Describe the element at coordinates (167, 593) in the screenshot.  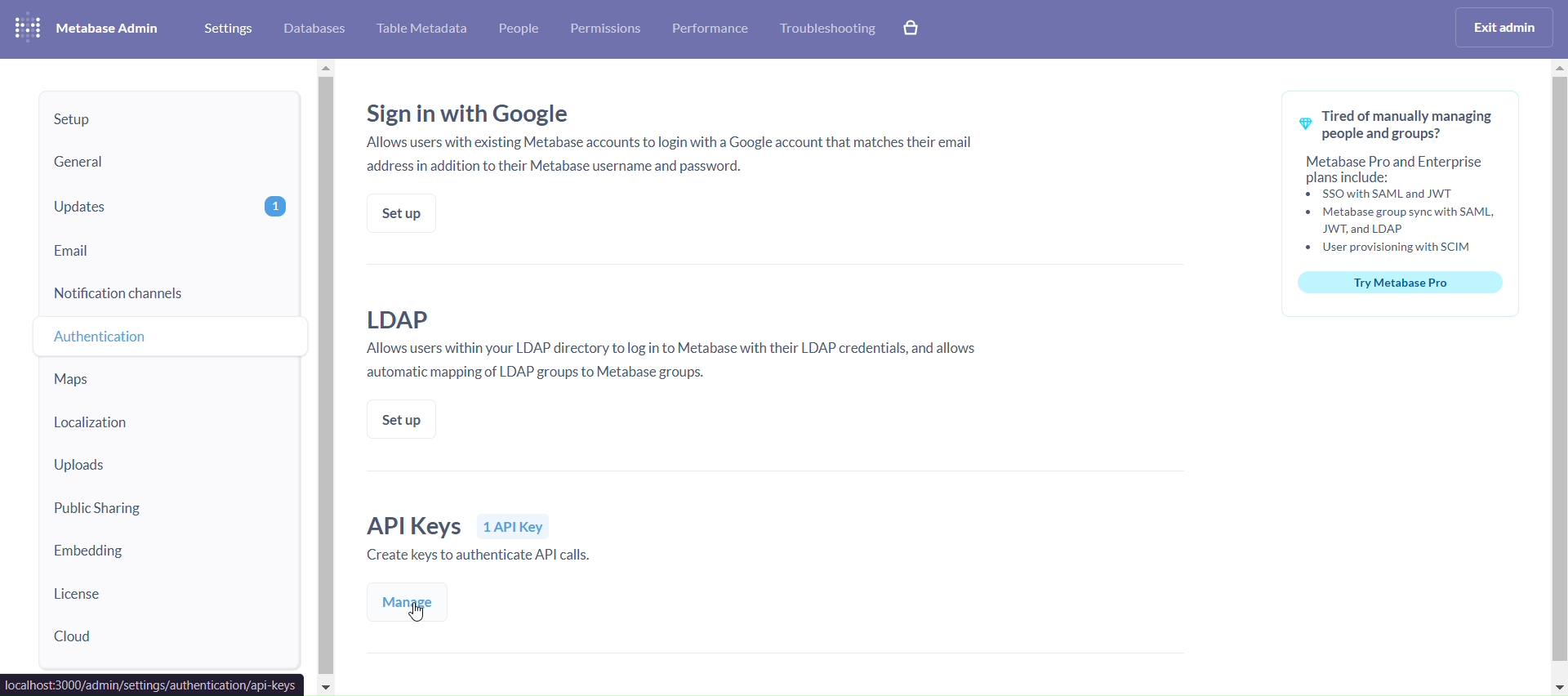
I see `license` at that location.